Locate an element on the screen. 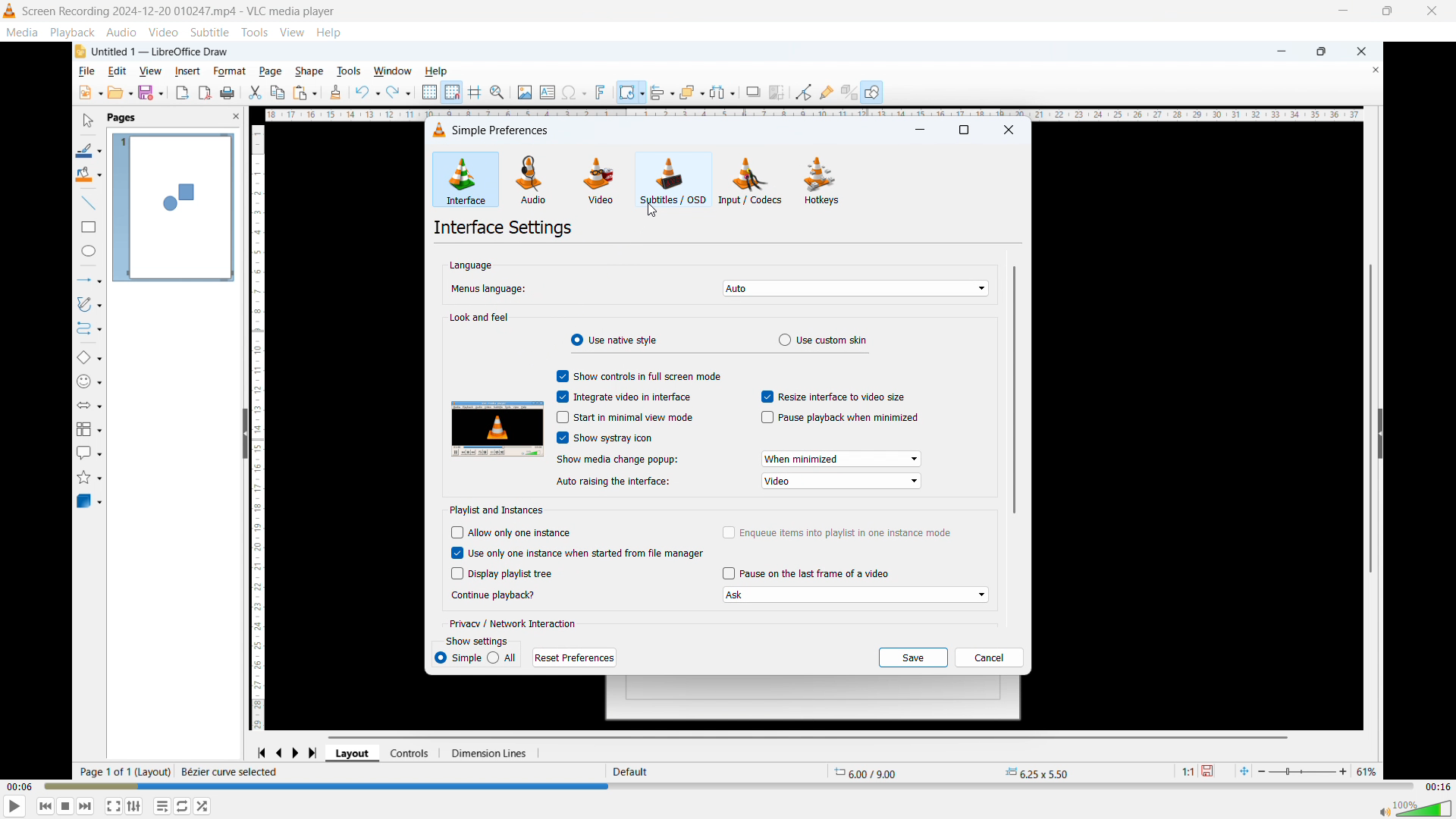  Cursor  is located at coordinates (652, 210).